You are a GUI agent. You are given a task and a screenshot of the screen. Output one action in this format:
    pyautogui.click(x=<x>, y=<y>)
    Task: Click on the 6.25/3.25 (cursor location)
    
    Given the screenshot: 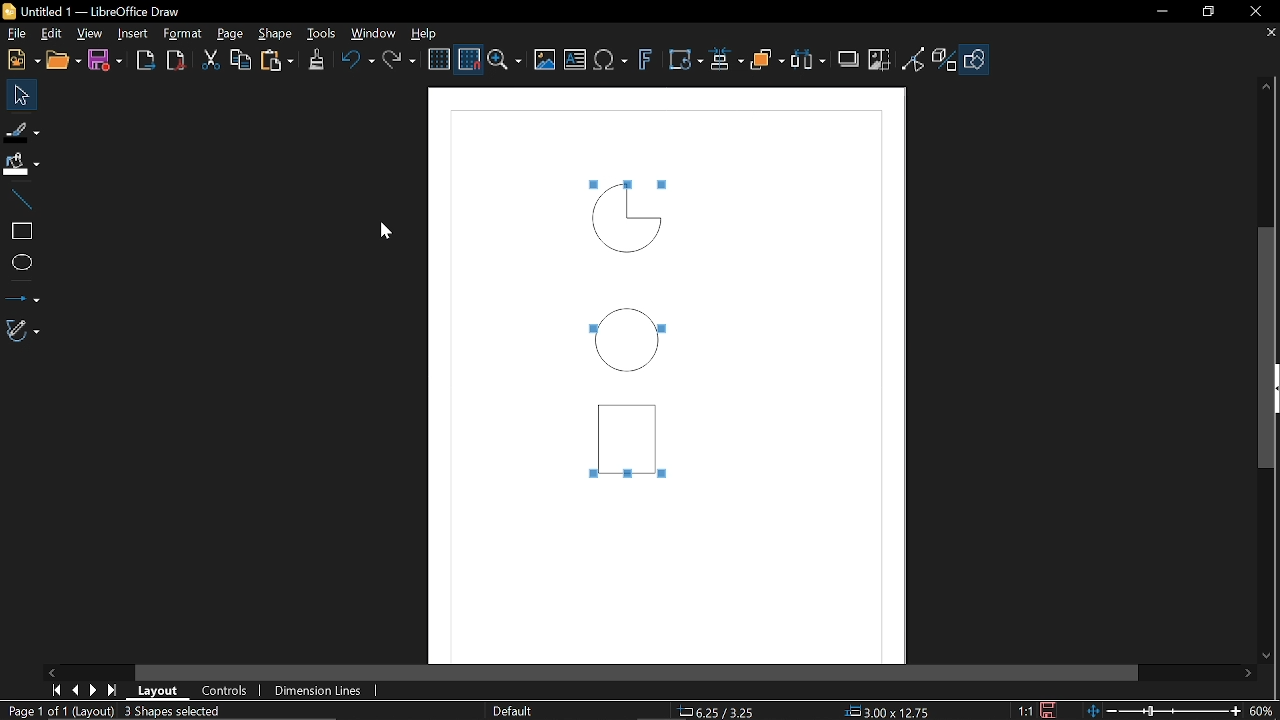 What is the action you would take?
    pyautogui.click(x=721, y=709)
    